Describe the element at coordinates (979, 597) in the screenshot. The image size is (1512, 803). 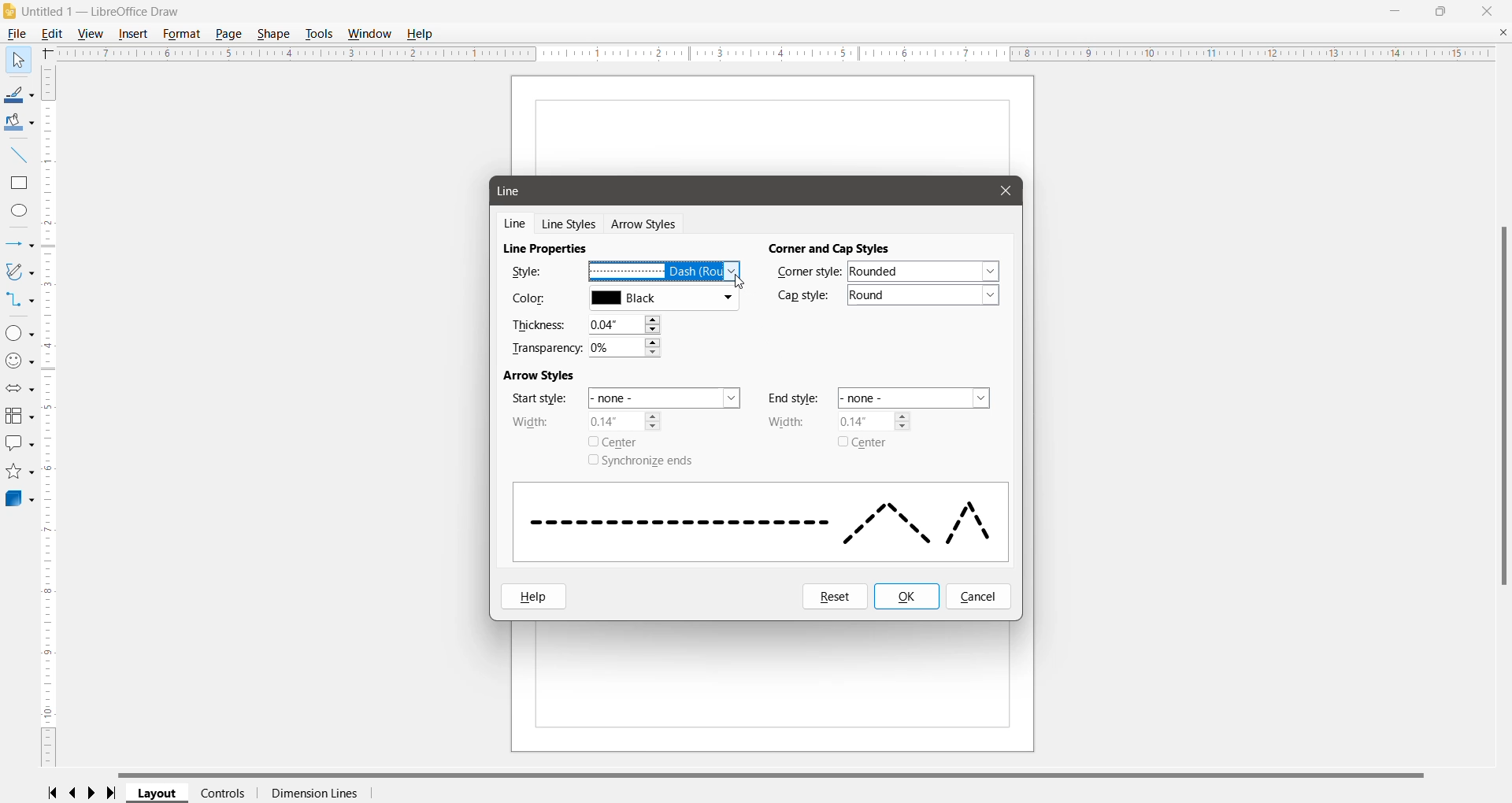
I see `Cancel` at that location.